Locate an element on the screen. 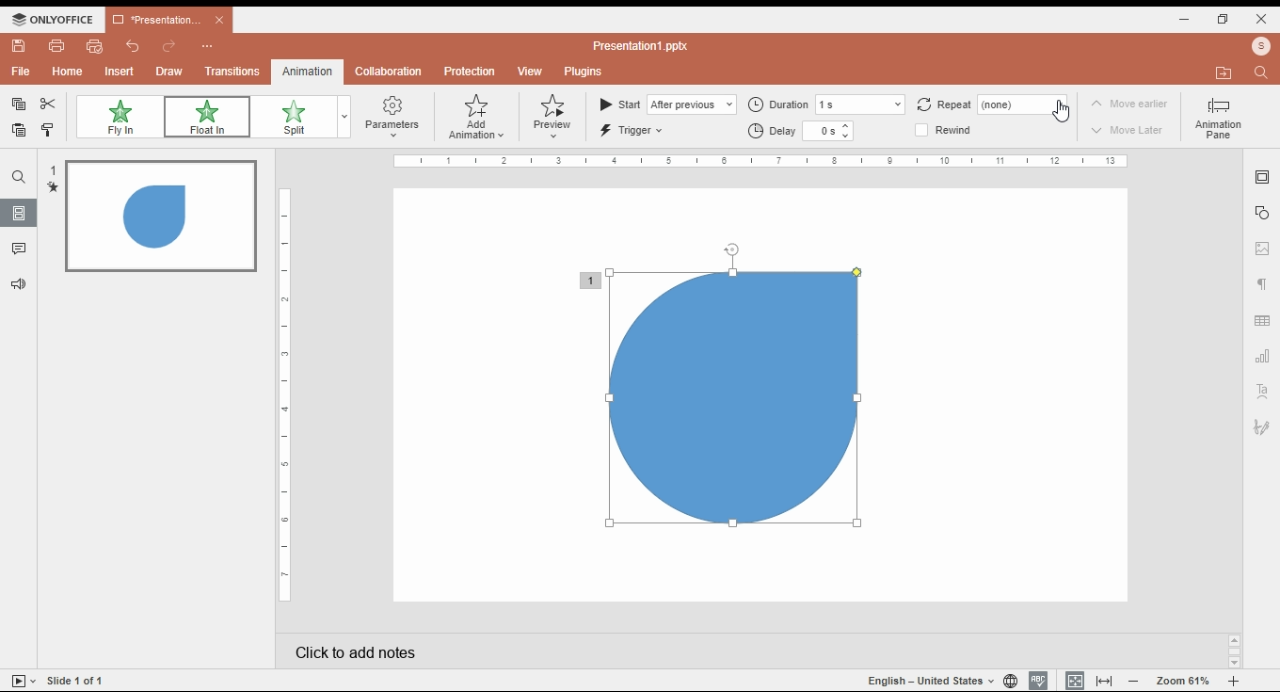 Image resolution: width=1280 pixels, height=692 pixels. profile is located at coordinates (1222, 72).